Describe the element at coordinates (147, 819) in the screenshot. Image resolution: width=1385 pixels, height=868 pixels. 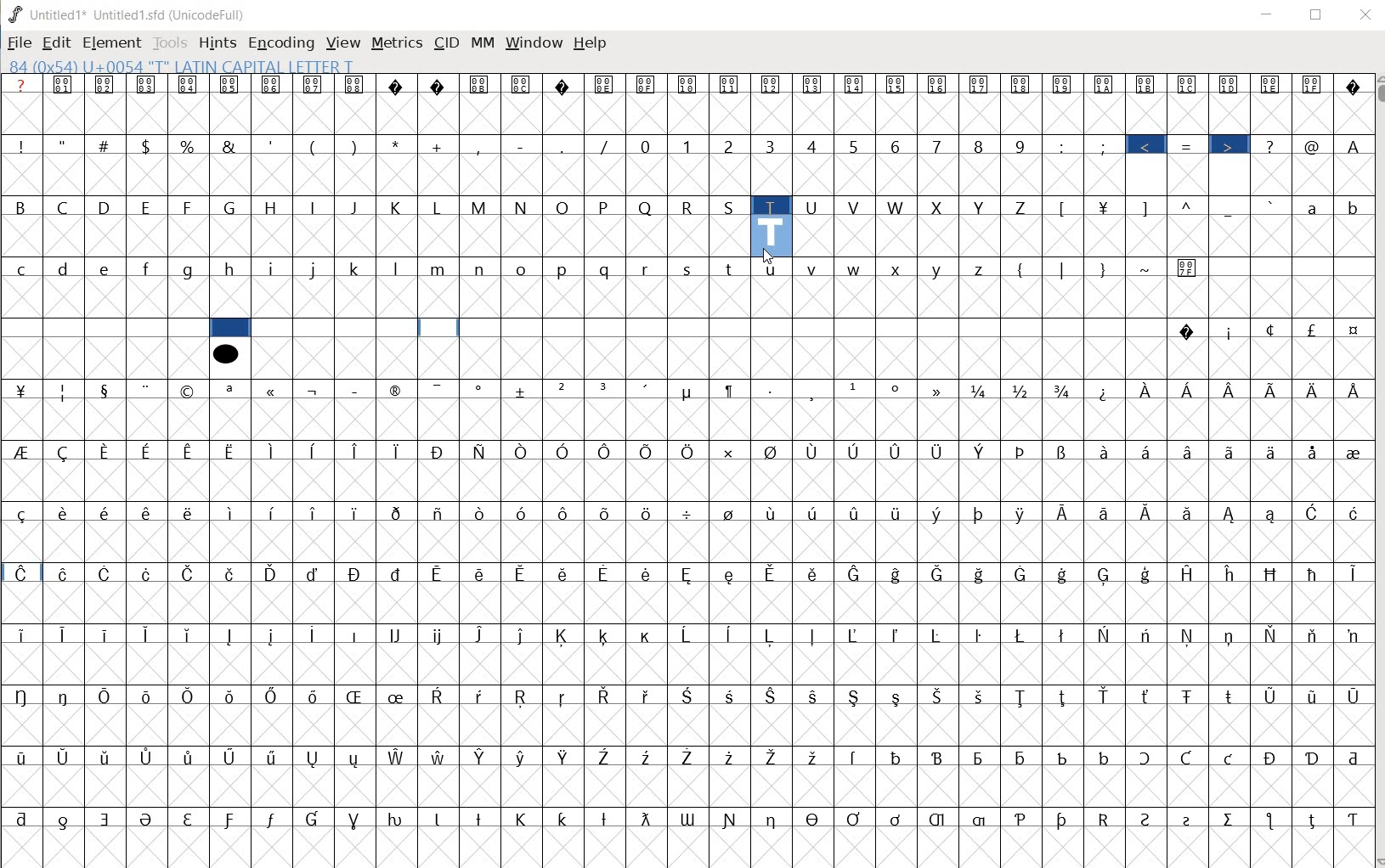
I see `Symbol` at that location.